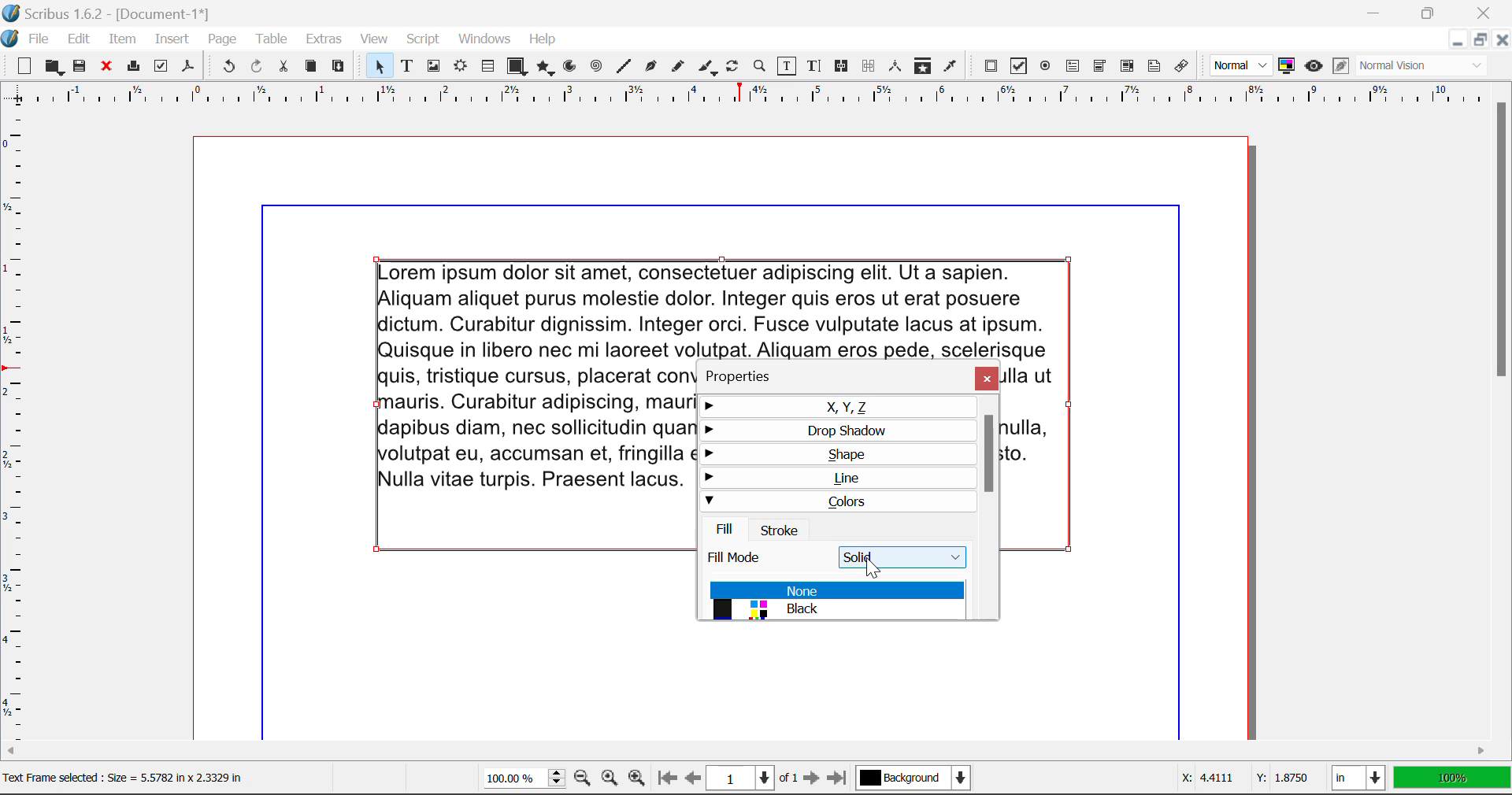 Image resolution: width=1512 pixels, height=795 pixels. What do you see at coordinates (339, 67) in the screenshot?
I see `Paste` at bounding box center [339, 67].